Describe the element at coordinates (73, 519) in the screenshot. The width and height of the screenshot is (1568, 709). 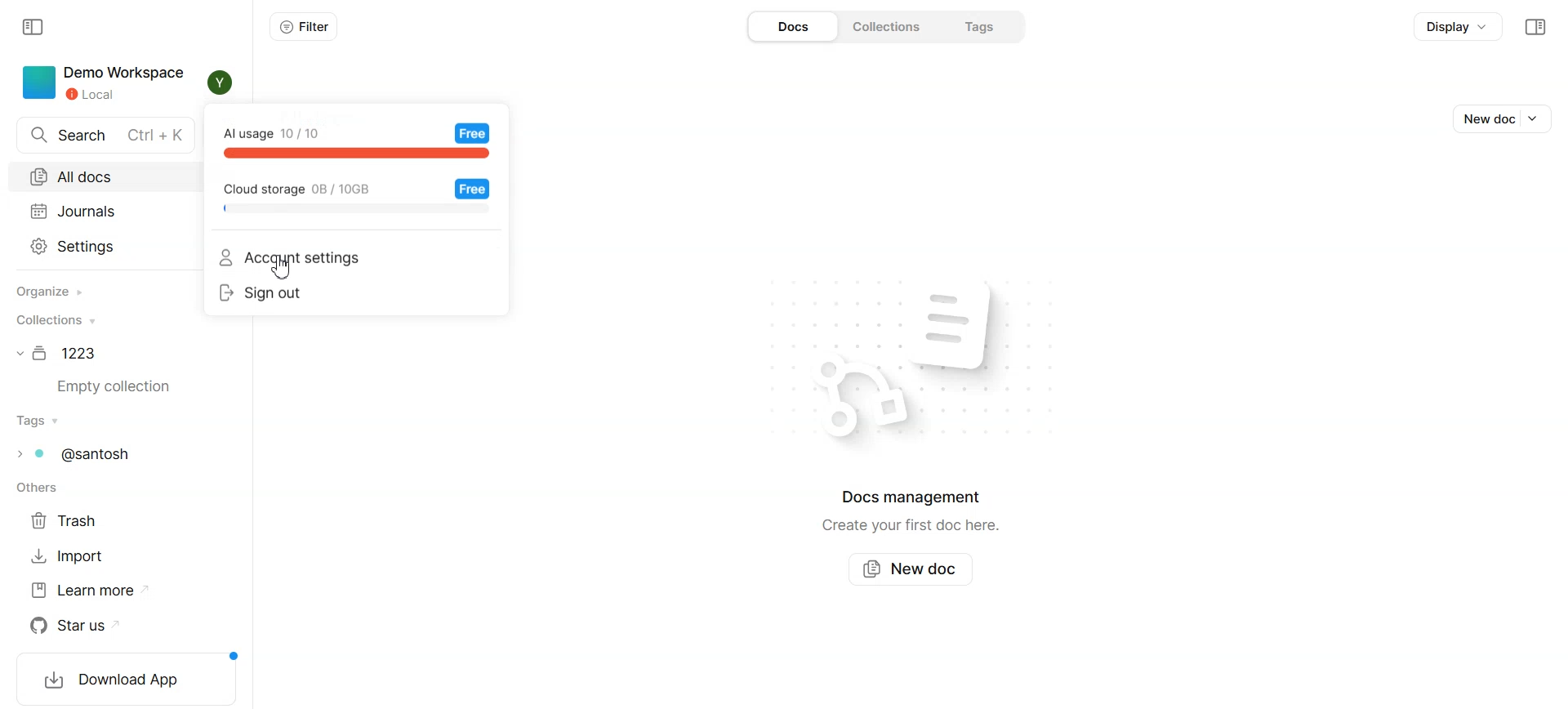
I see `Trash` at that location.